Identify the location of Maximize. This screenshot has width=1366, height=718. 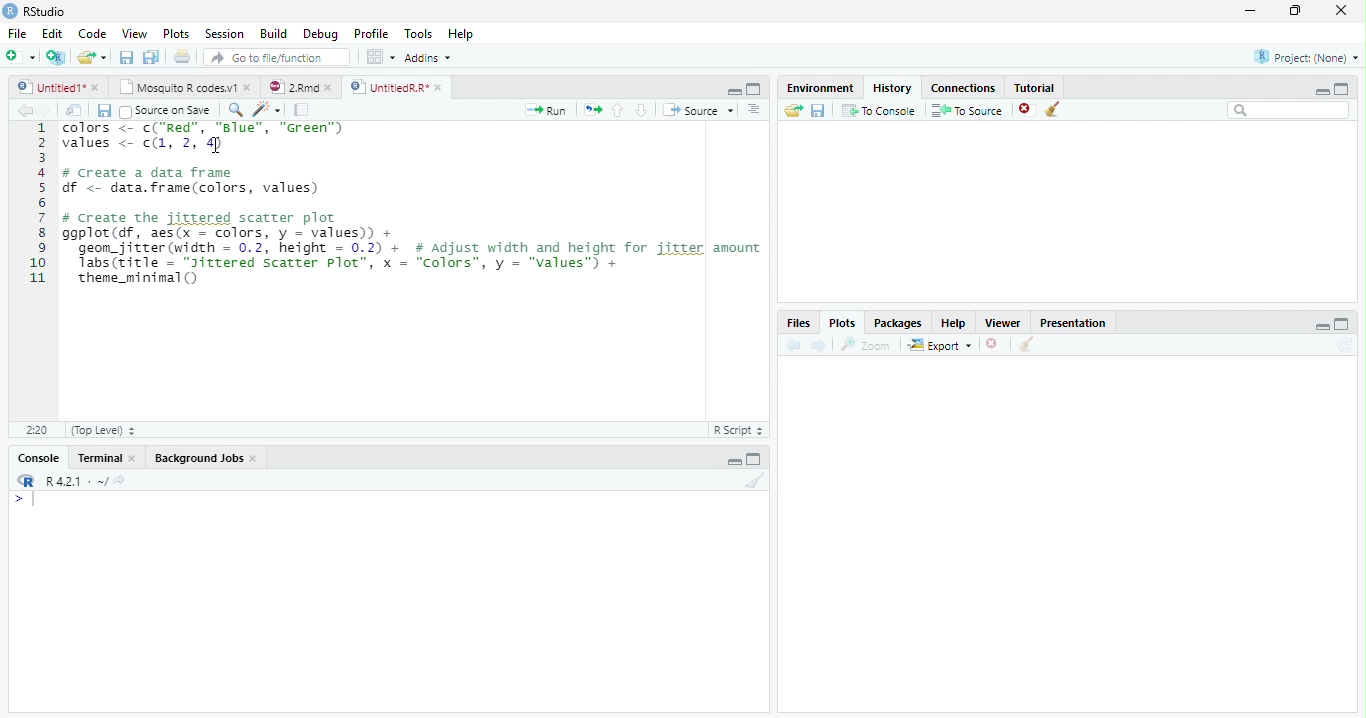
(1342, 89).